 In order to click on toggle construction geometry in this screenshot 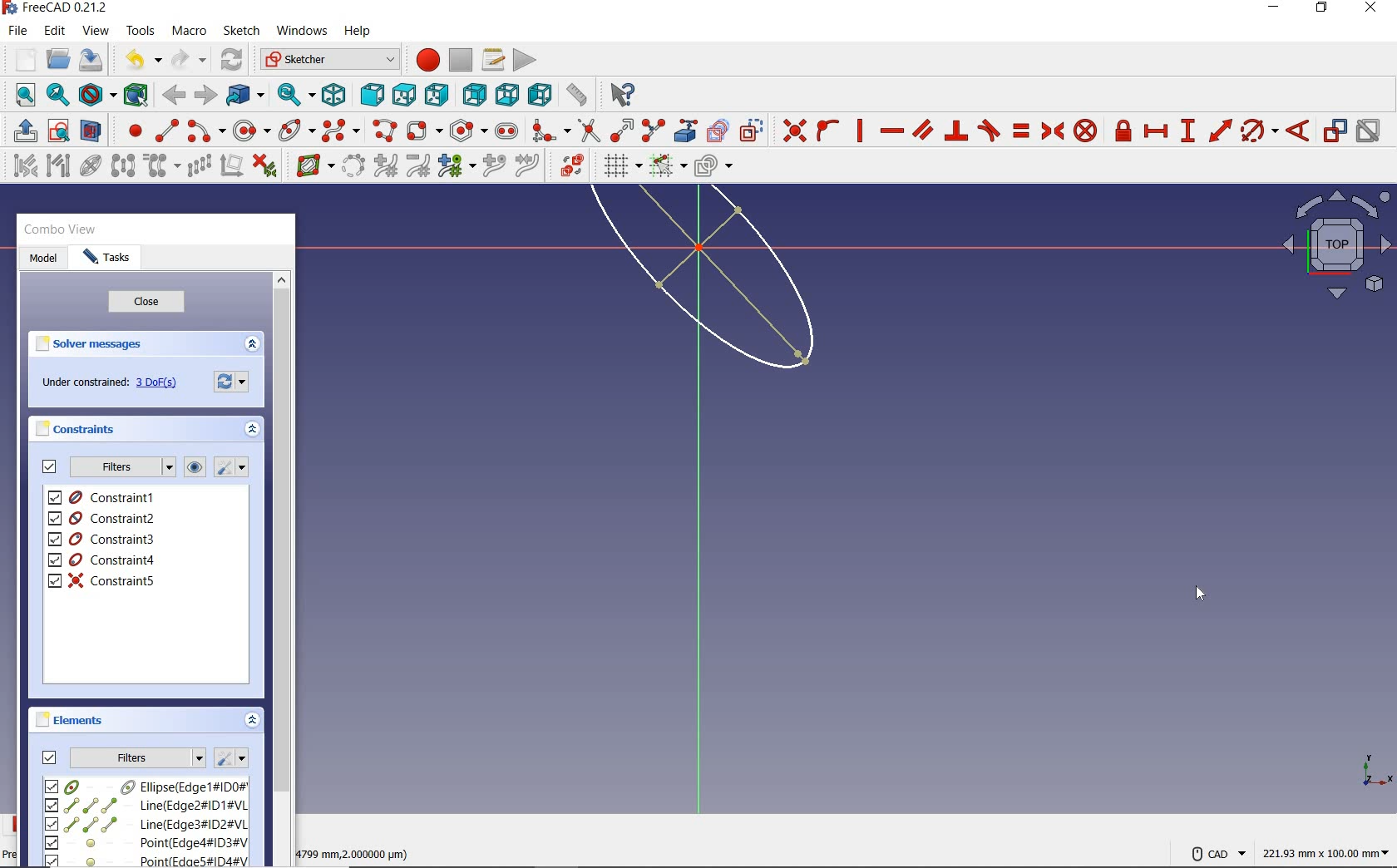, I will do `click(752, 130)`.